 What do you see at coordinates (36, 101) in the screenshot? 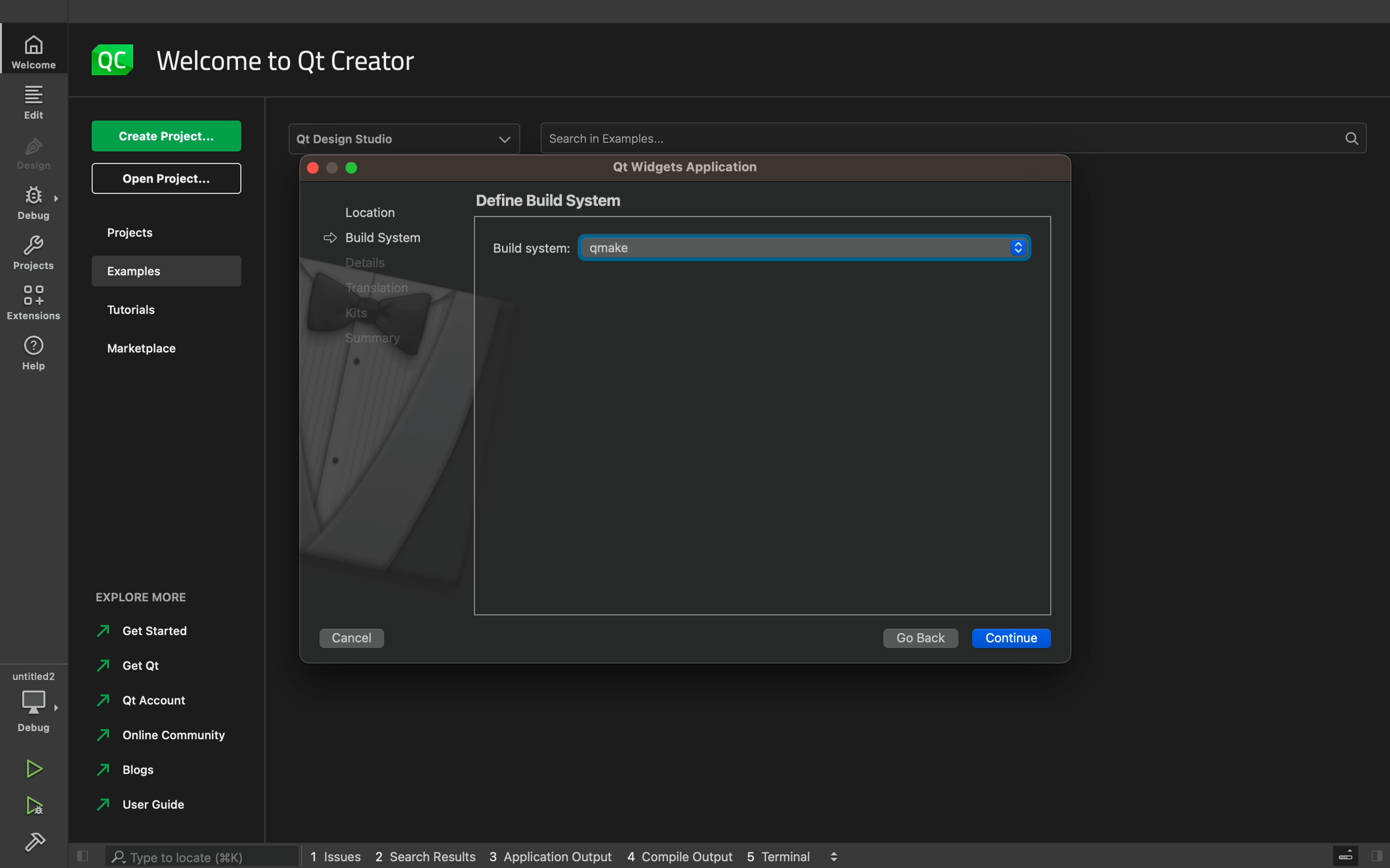
I see `edit` at bounding box center [36, 101].